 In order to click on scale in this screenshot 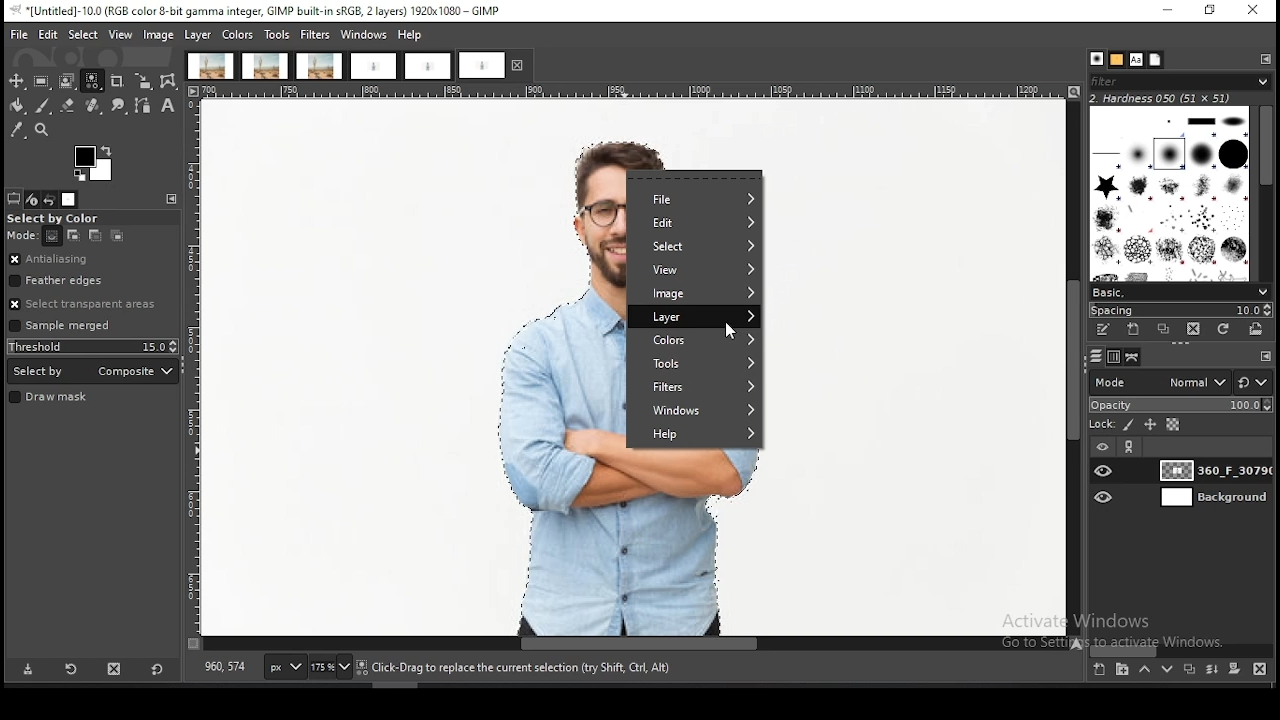, I will do `click(194, 368)`.